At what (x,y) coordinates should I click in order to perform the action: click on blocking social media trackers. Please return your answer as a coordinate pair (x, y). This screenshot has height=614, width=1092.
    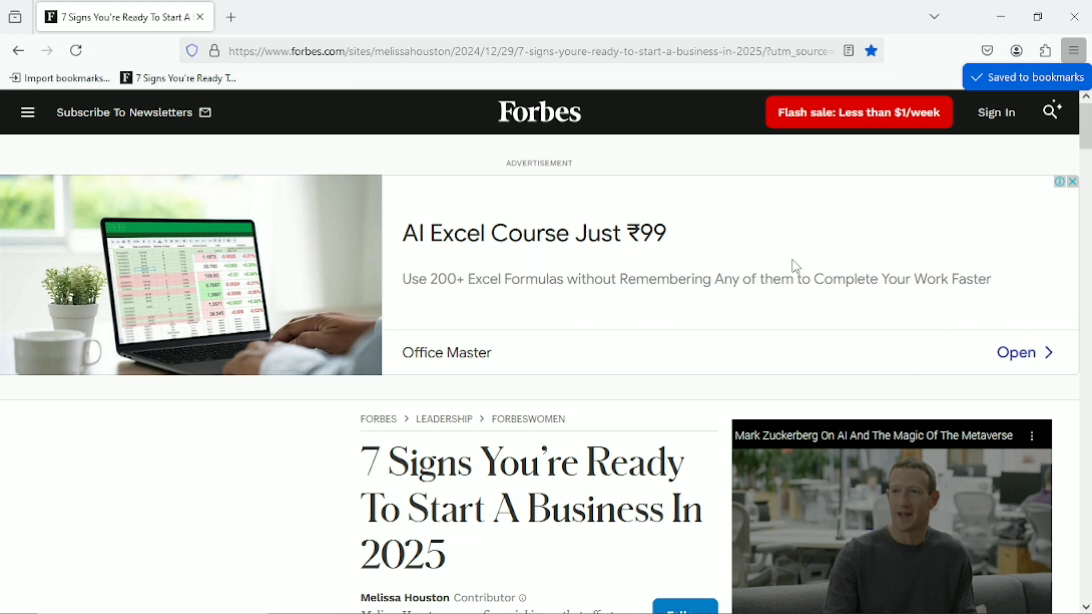
    Looking at the image, I should click on (191, 50).